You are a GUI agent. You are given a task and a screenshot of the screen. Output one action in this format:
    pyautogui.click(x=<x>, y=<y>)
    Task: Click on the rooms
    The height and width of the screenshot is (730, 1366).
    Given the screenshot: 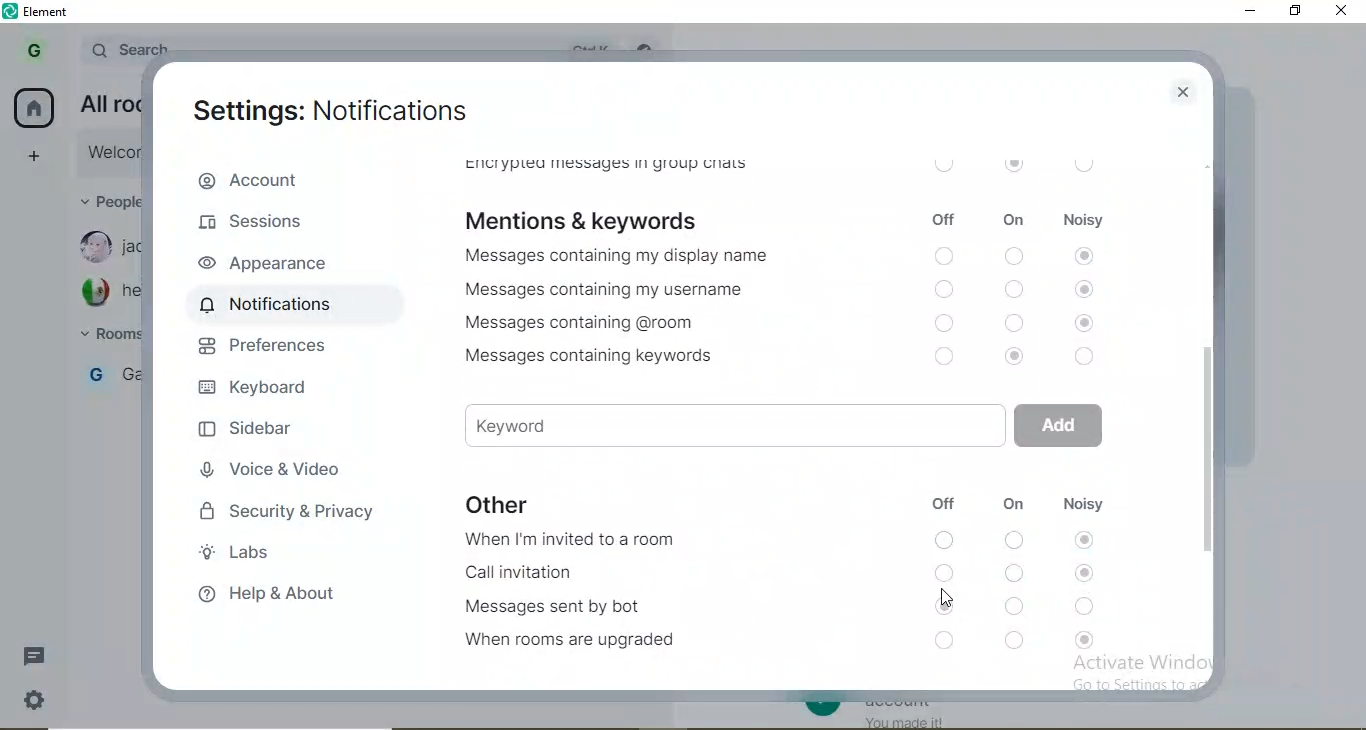 What is the action you would take?
    pyautogui.click(x=108, y=333)
    